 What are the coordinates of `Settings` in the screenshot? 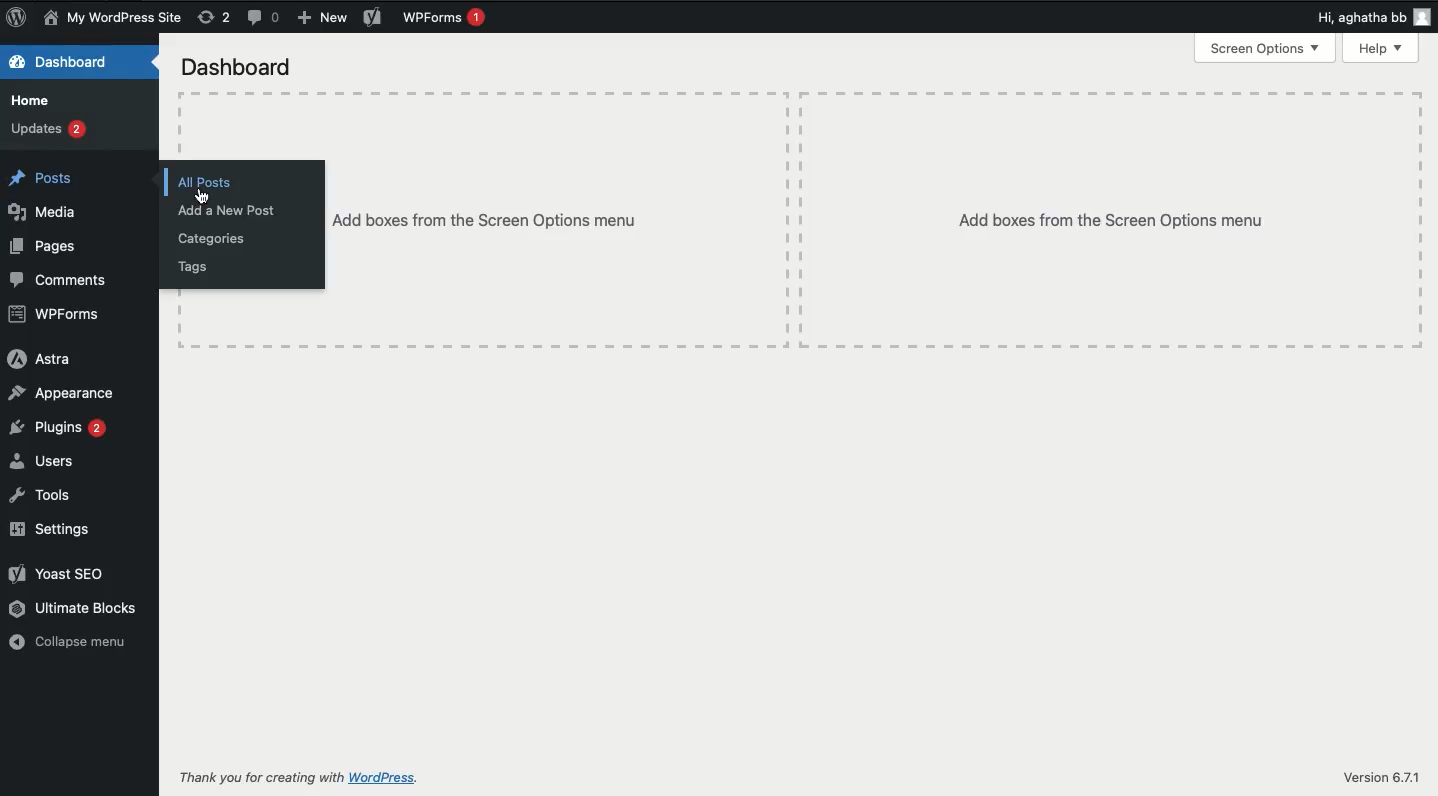 It's located at (57, 531).